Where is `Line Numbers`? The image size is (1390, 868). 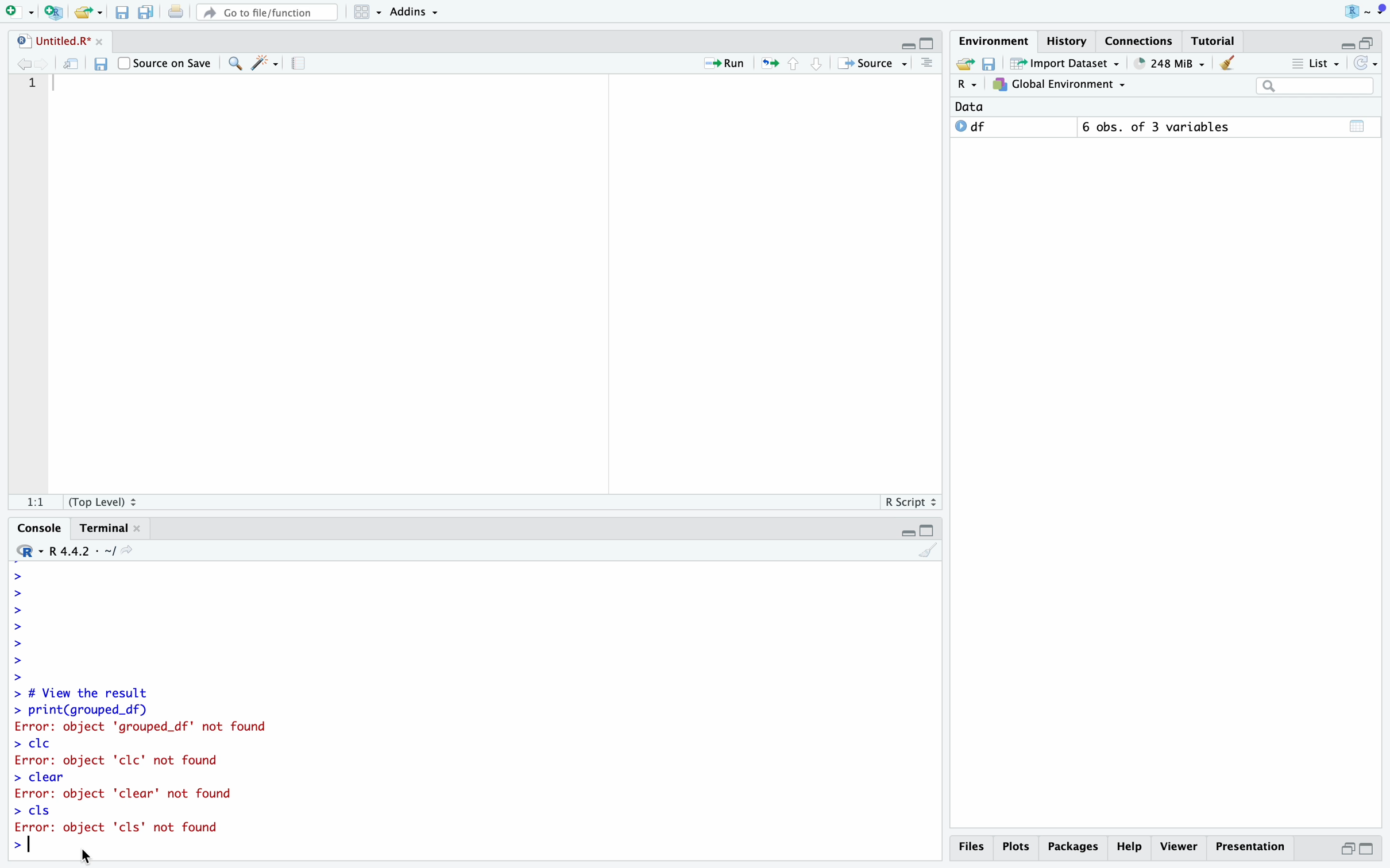 Line Numbers is located at coordinates (29, 95).